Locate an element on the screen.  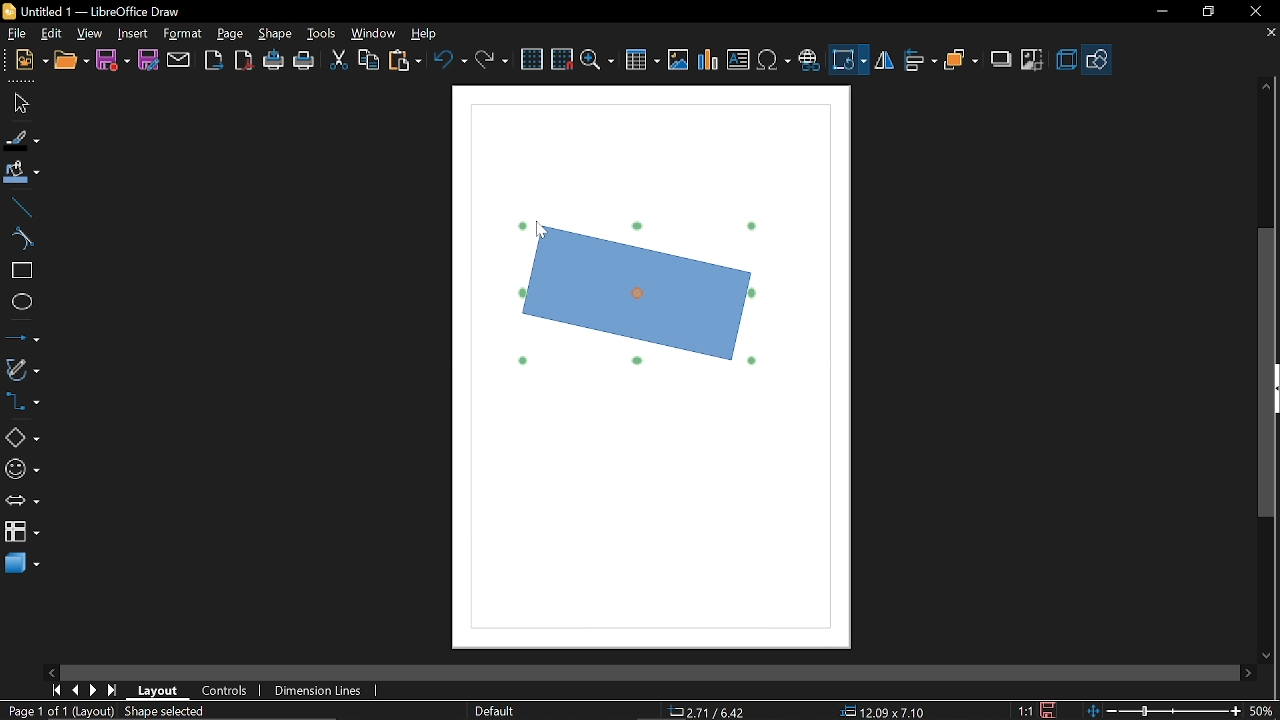
Import is located at coordinates (215, 61).